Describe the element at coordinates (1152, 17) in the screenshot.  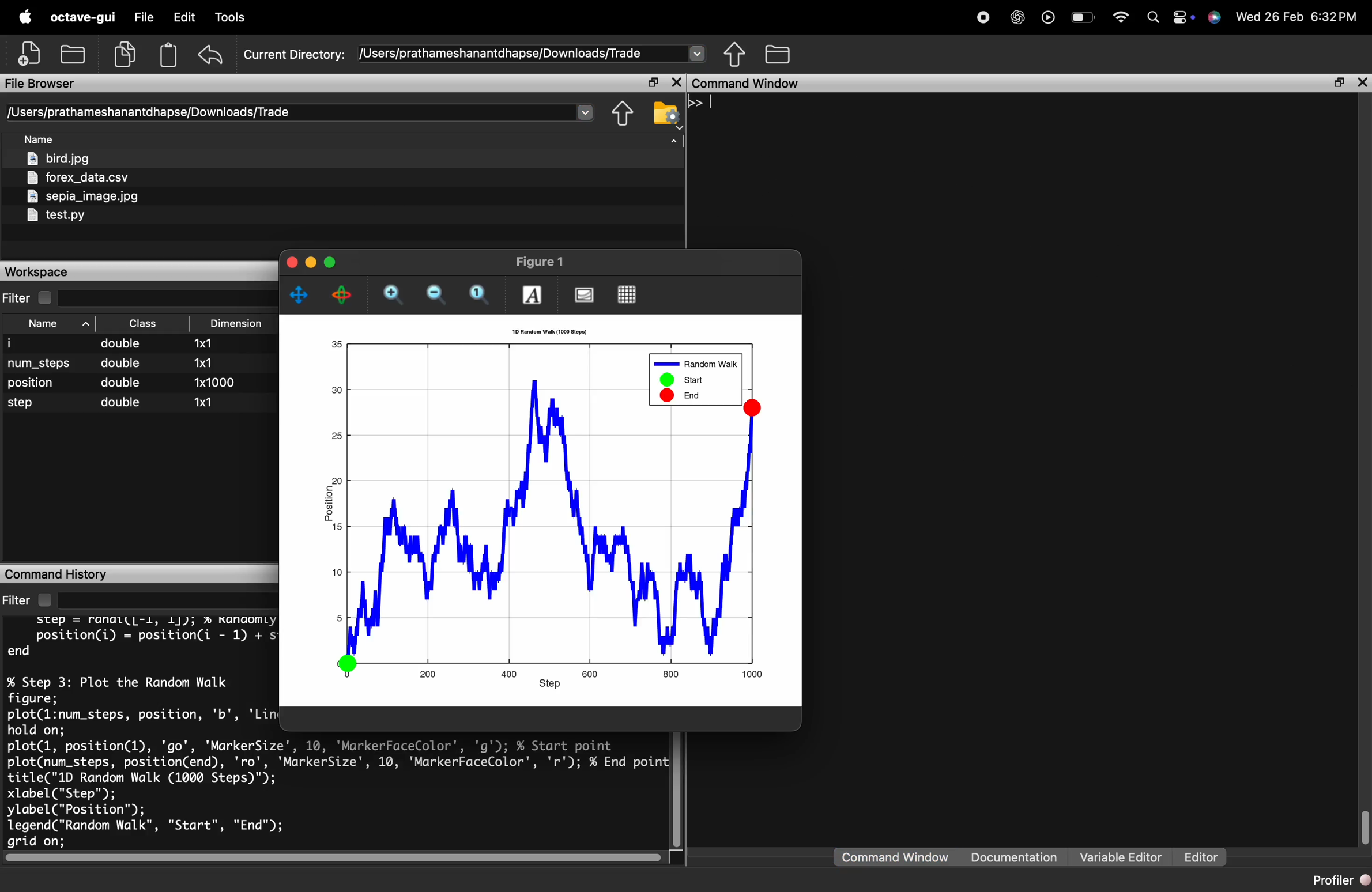
I see `search` at that location.